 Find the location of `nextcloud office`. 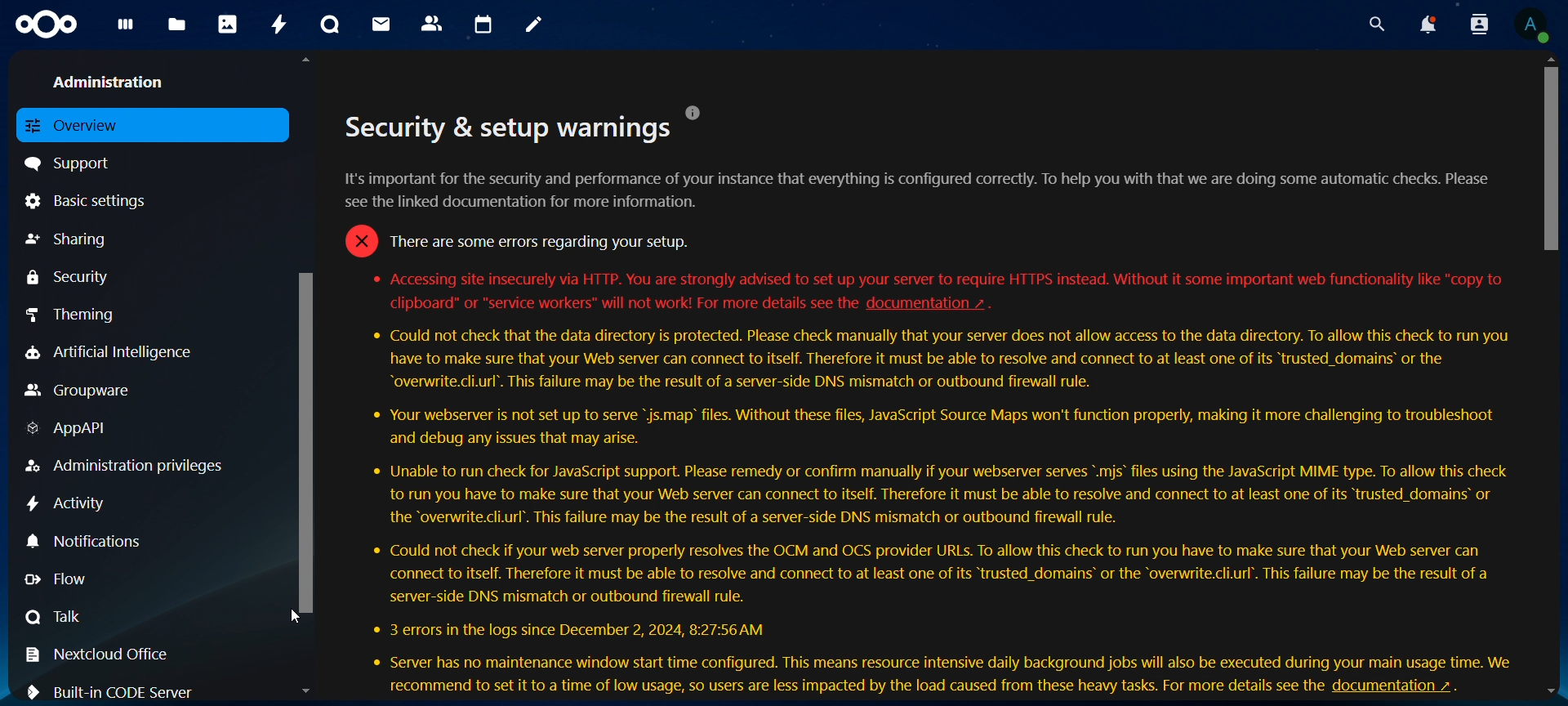

nextcloud office is located at coordinates (107, 655).